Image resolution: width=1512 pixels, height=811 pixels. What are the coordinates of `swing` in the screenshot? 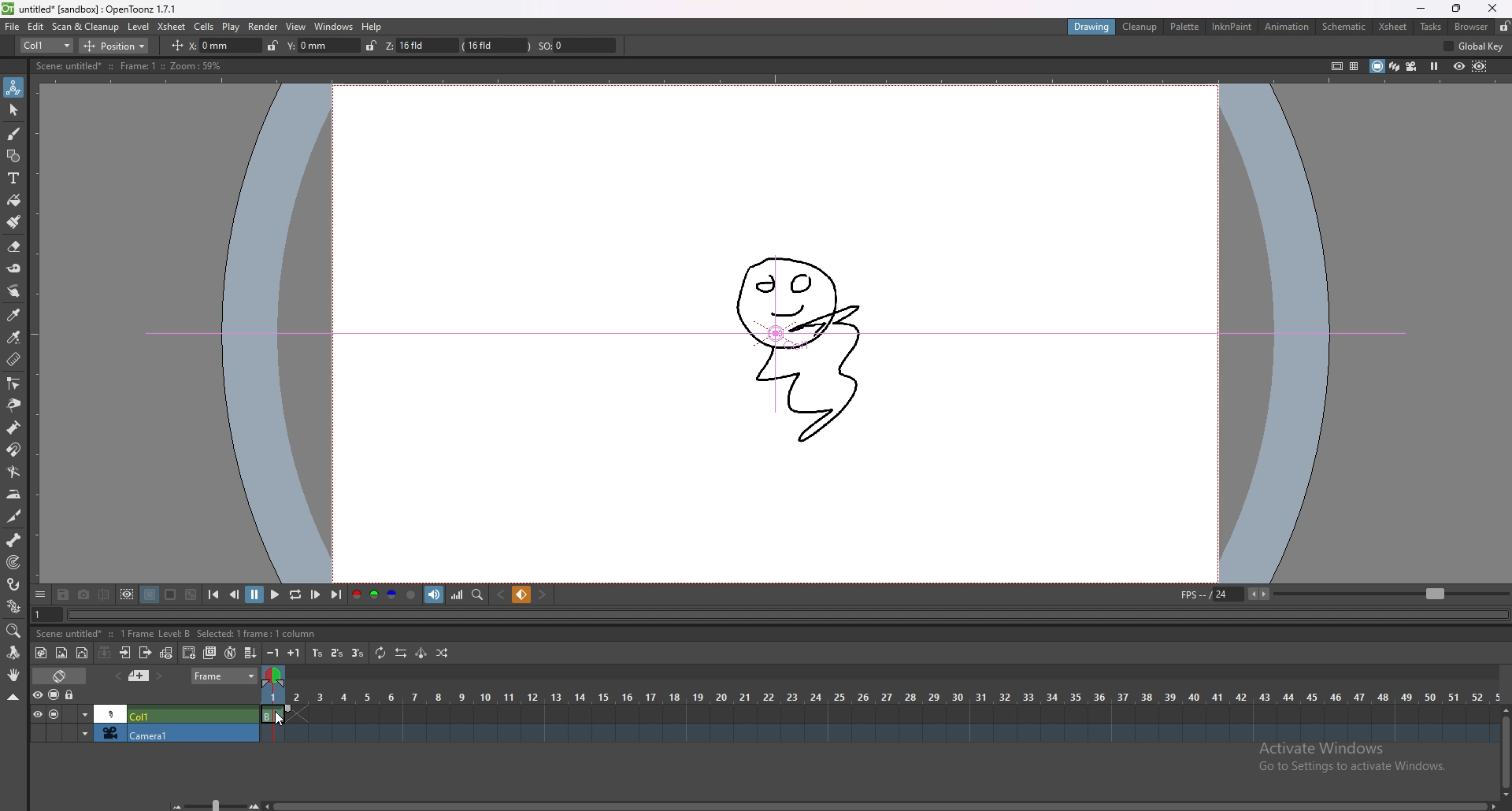 It's located at (421, 654).